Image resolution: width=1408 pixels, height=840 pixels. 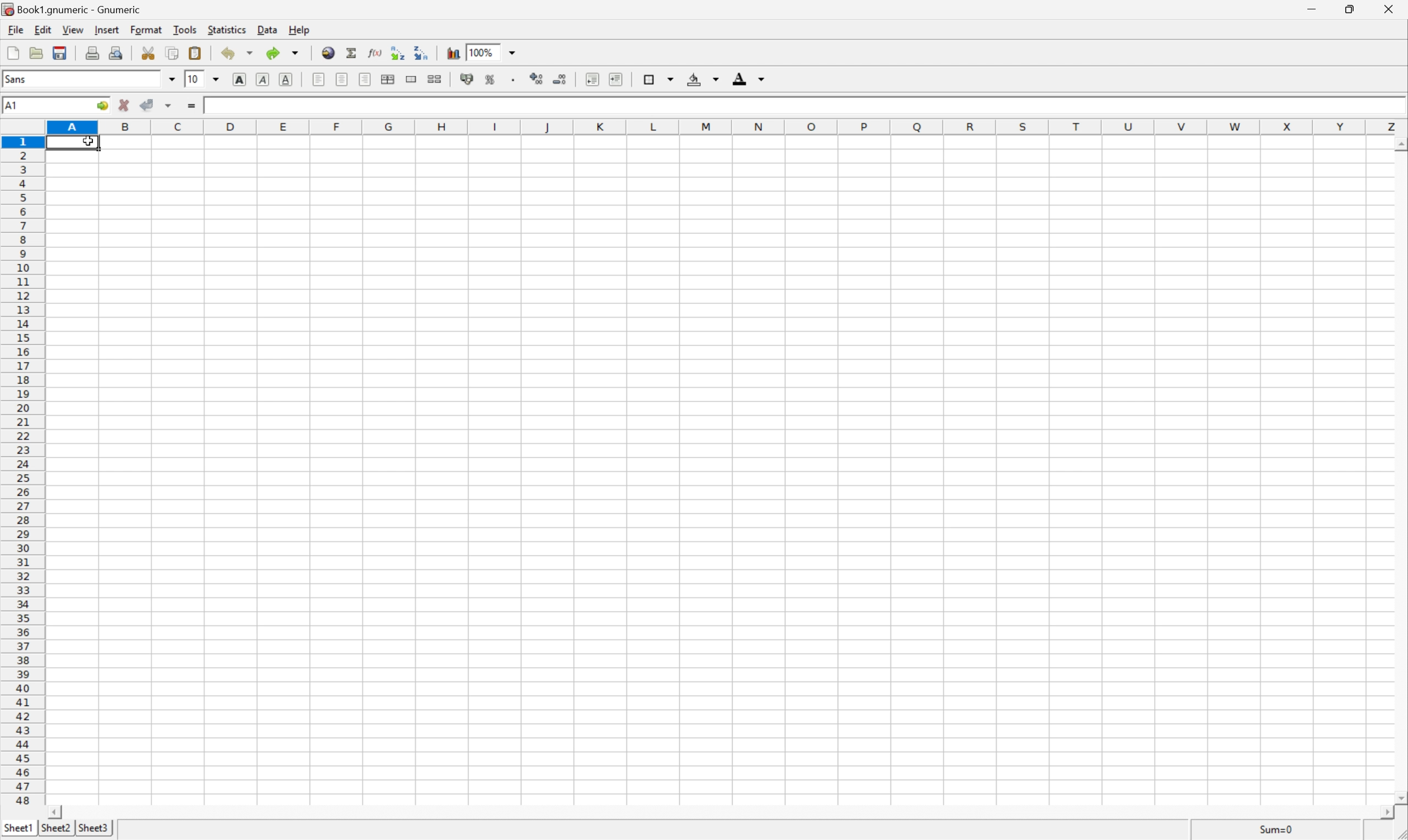 I want to click on save current workbook, so click(x=62, y=51).